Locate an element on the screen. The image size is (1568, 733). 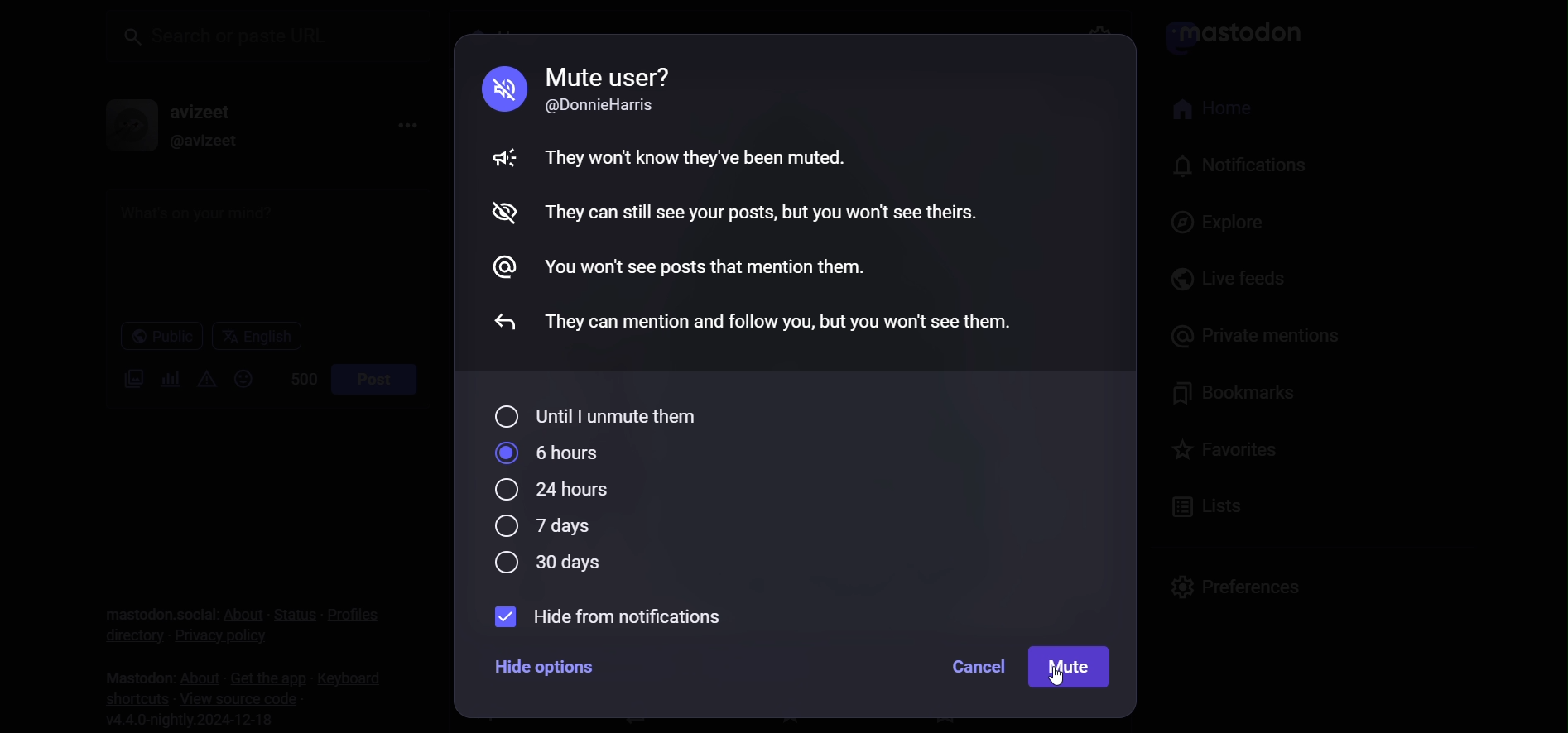
30 days is located at coordinates (554, 564).